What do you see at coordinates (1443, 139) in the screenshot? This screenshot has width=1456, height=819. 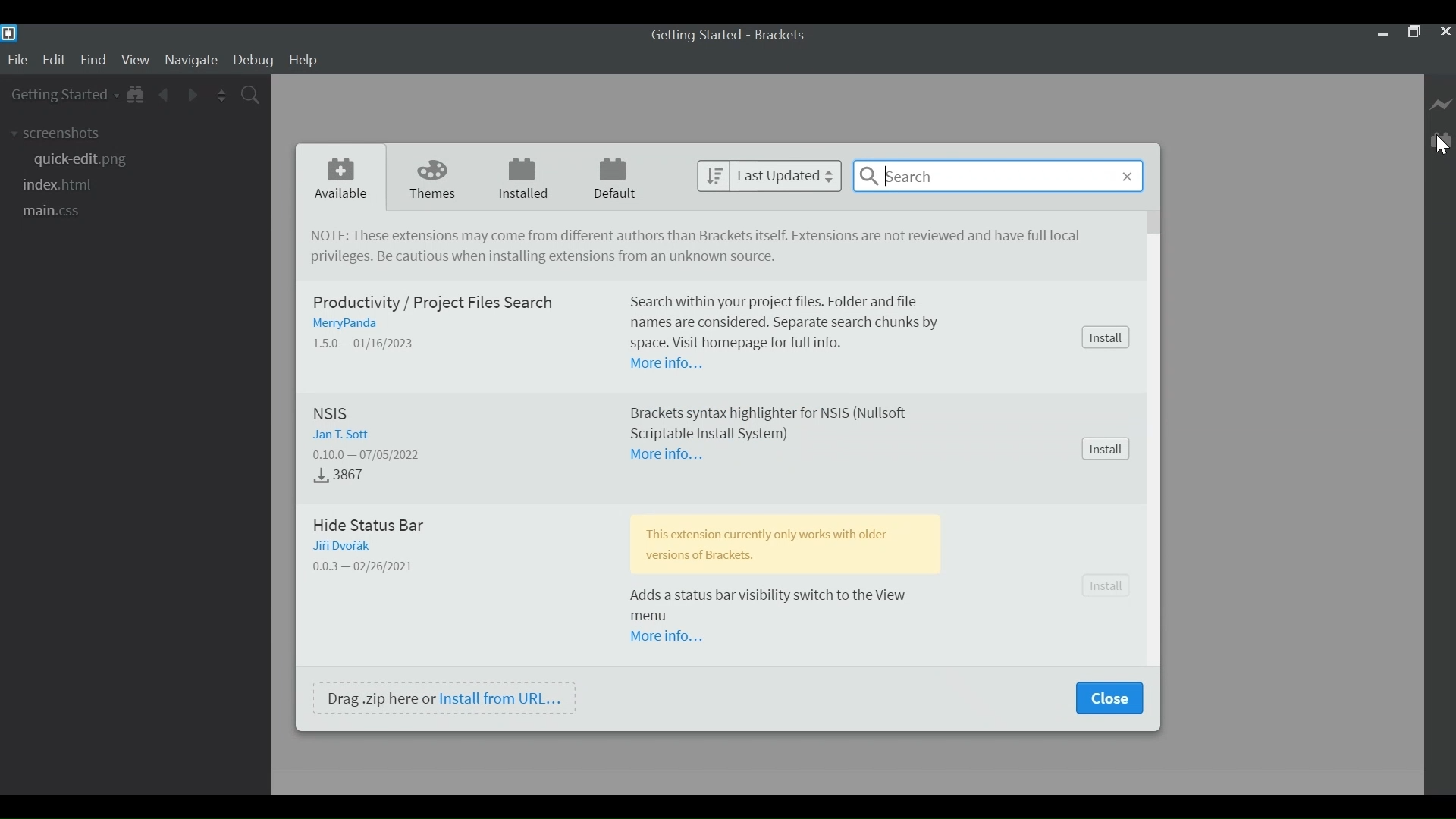 I see `Manage Extensions` at bounding box center [1443, 139].